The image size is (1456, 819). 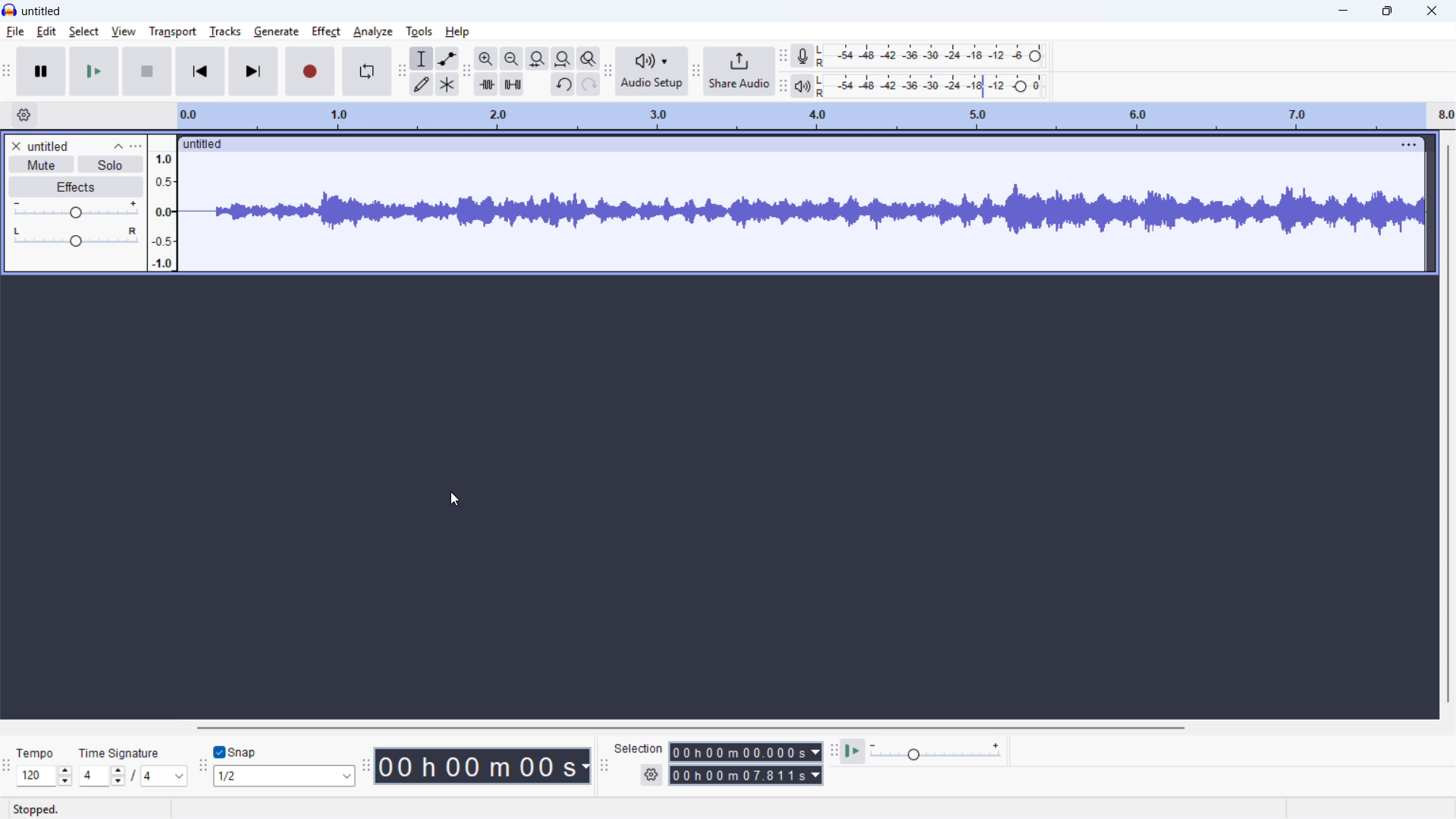 I want to click on zoom out, so click(x=511, y=59).